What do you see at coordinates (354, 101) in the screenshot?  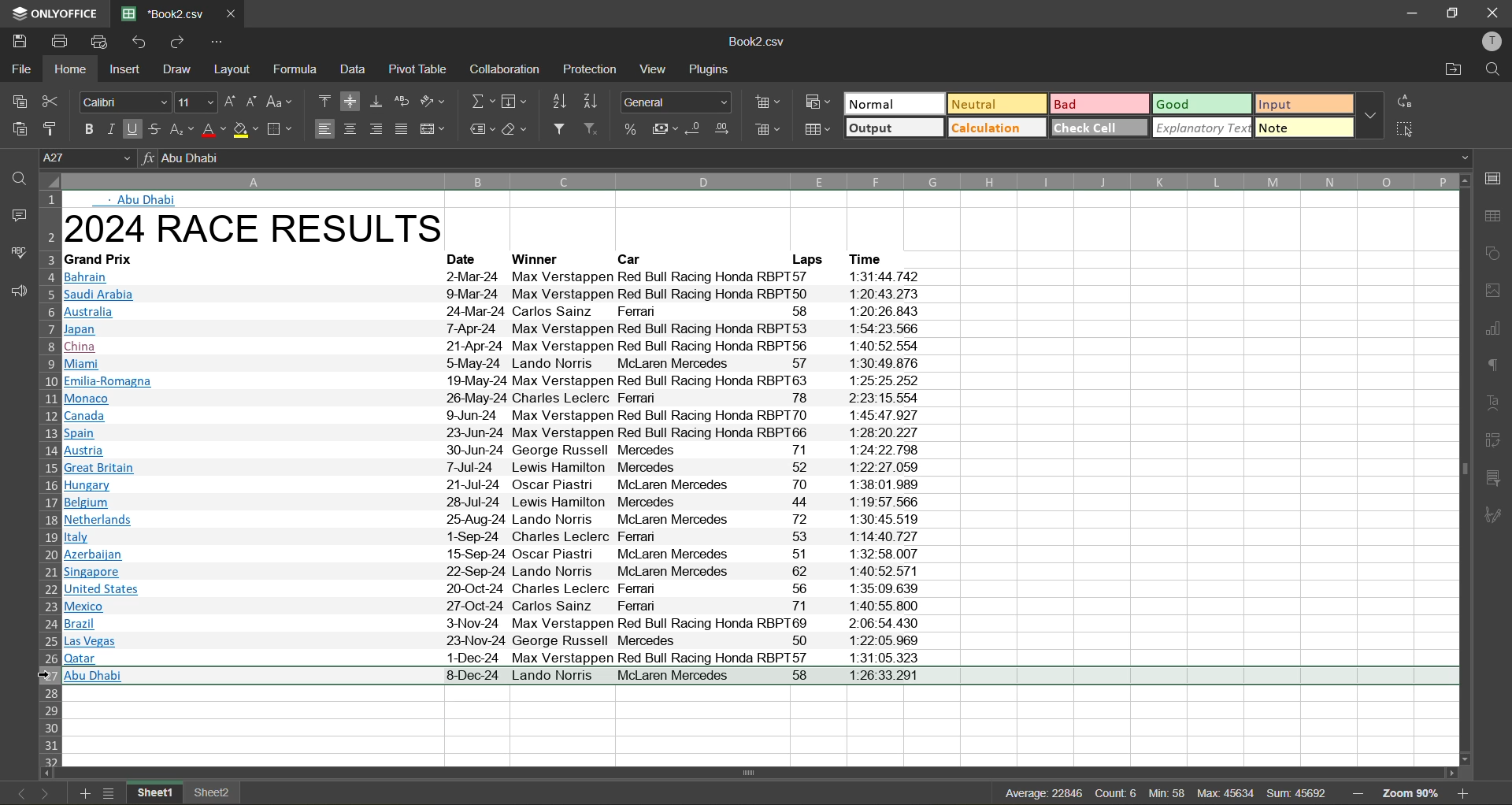 I see `align middle` at bounding box center [354, 101].